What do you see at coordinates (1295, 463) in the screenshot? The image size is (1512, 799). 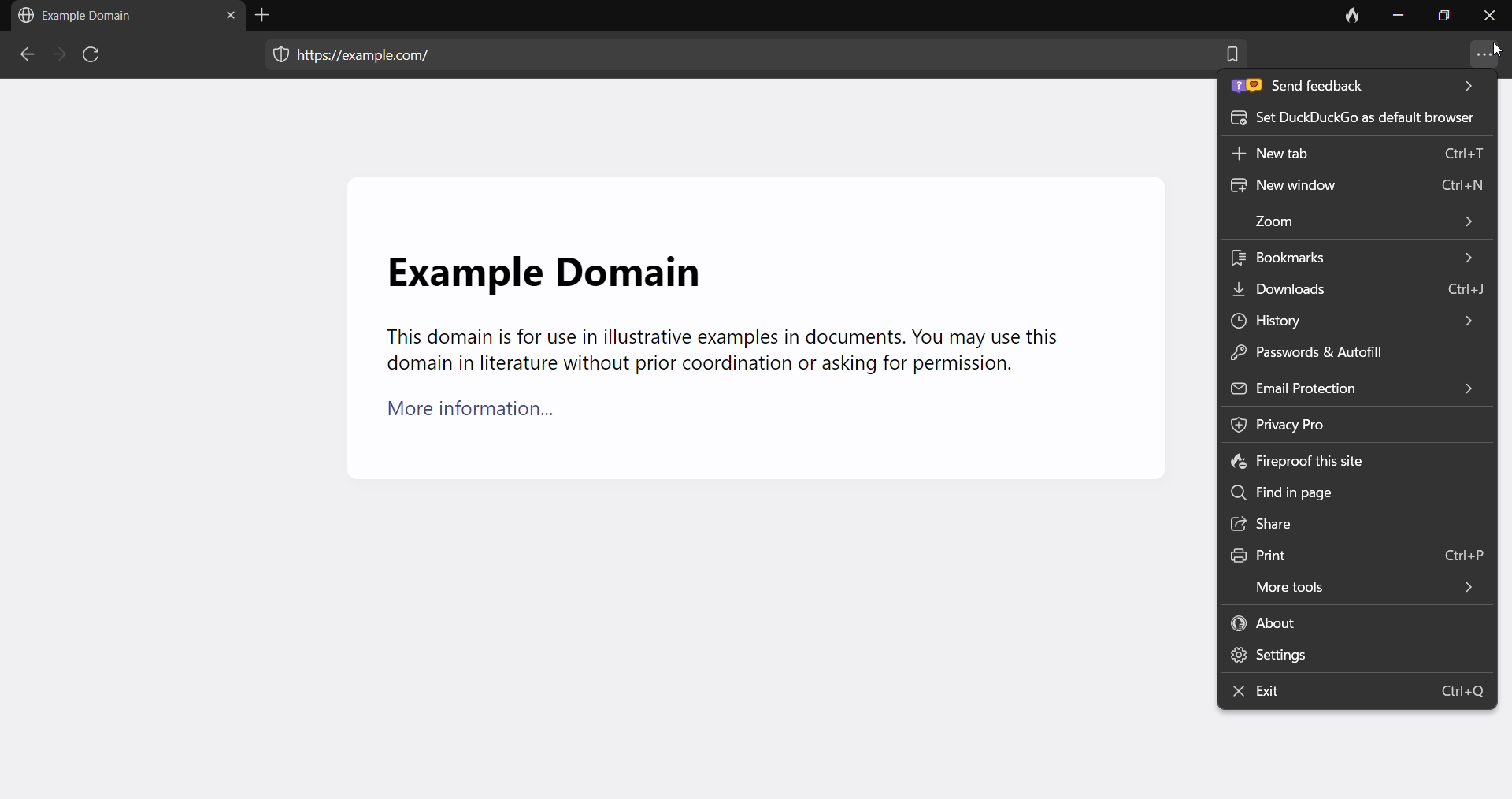 I see `Fireproofing Removed for this site` at bounding box center [1295, 463].